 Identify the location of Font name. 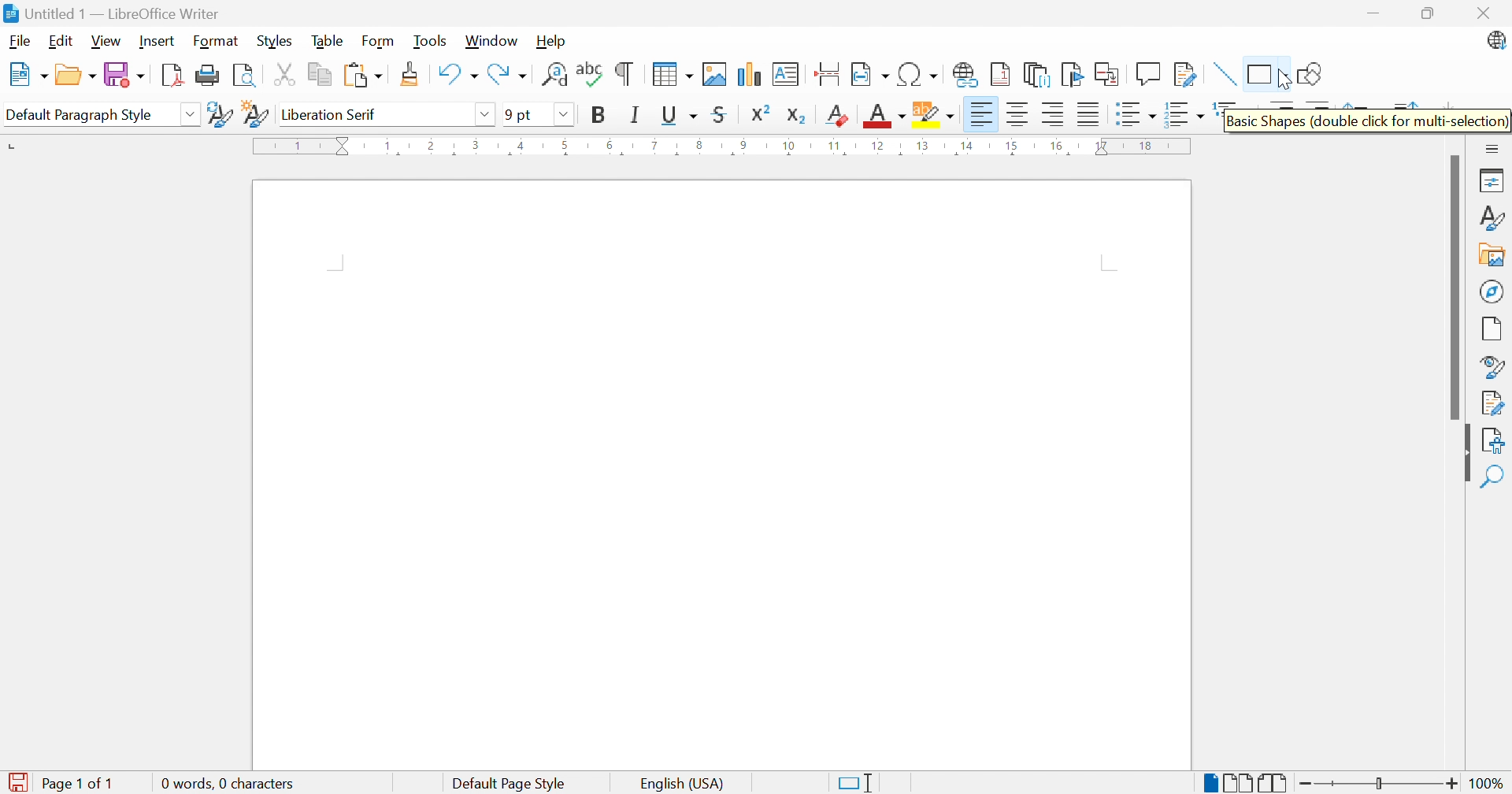
(372, 114).